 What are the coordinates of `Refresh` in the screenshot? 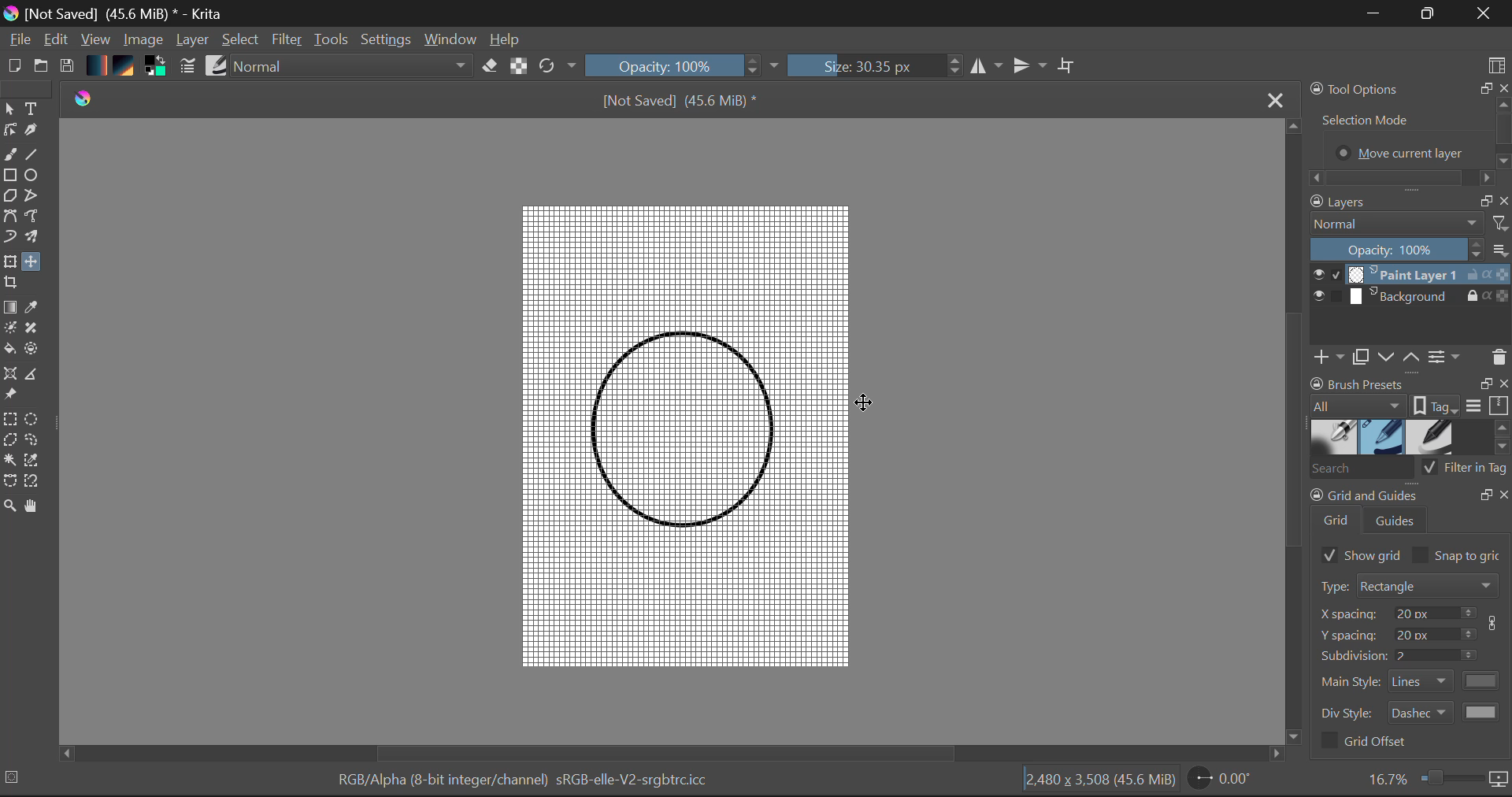 It's located at (556, 68).